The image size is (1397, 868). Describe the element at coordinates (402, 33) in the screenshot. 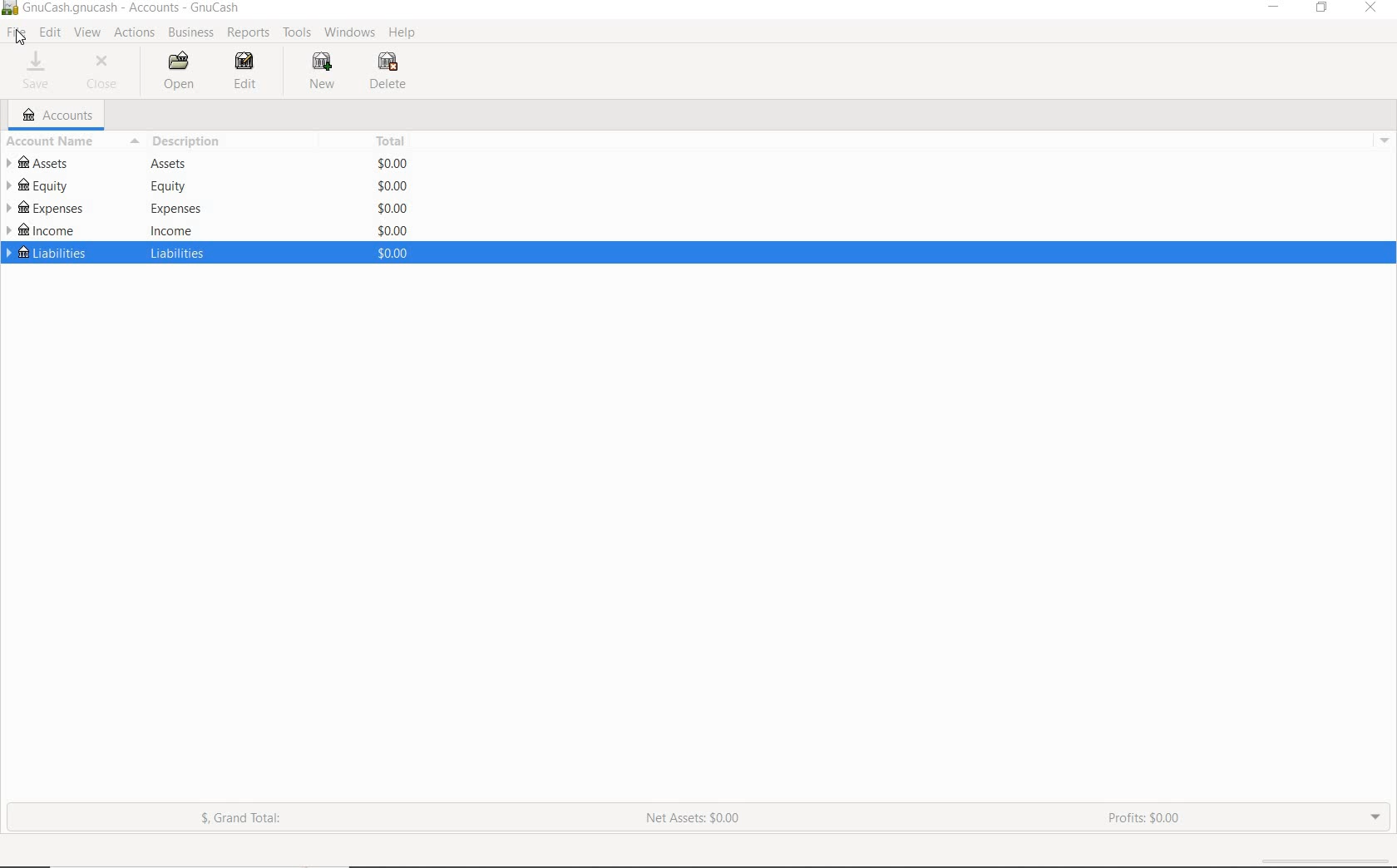

I see `HELP` at that location.